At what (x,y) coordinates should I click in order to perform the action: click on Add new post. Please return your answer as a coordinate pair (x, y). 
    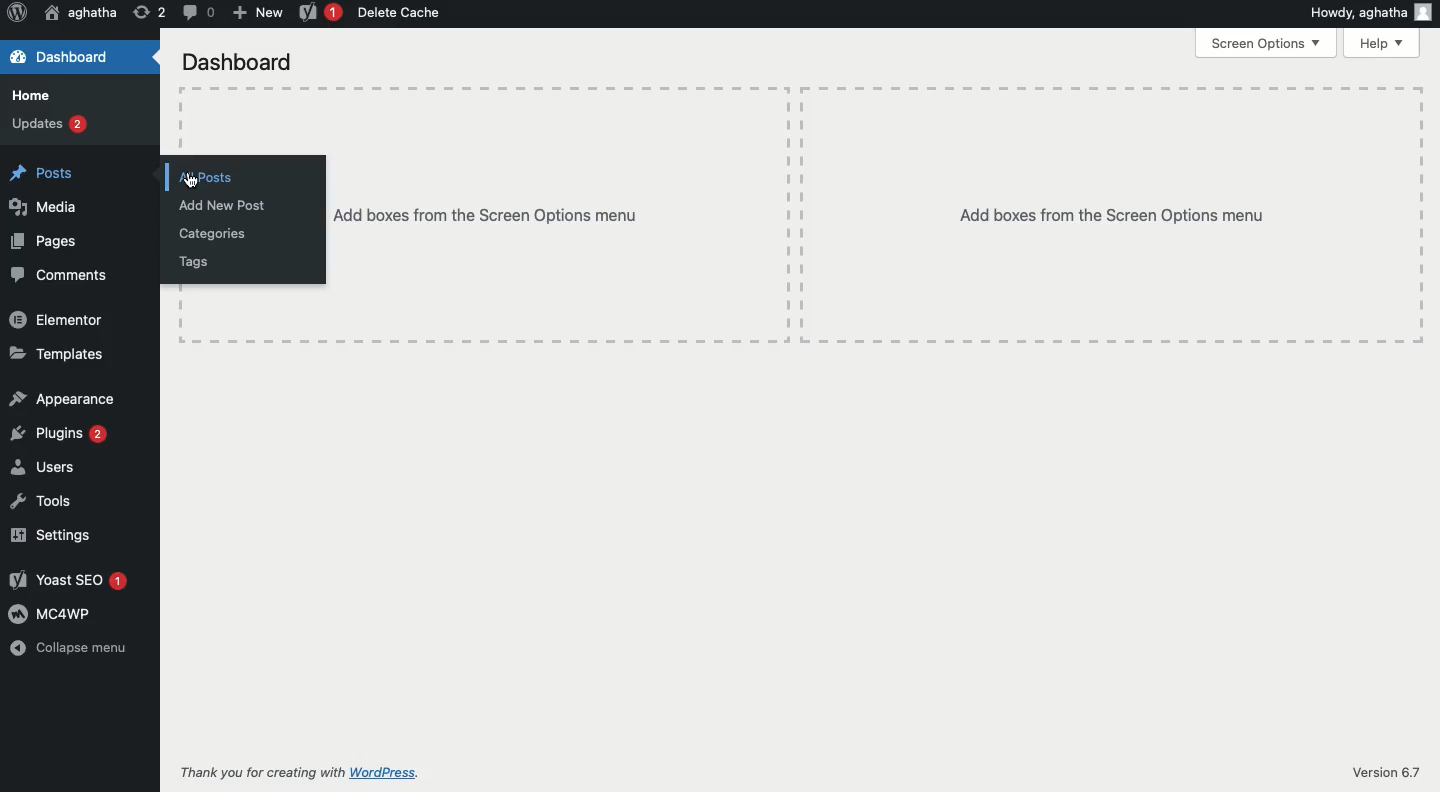
    Looking at the image, I should click on (224, 208).